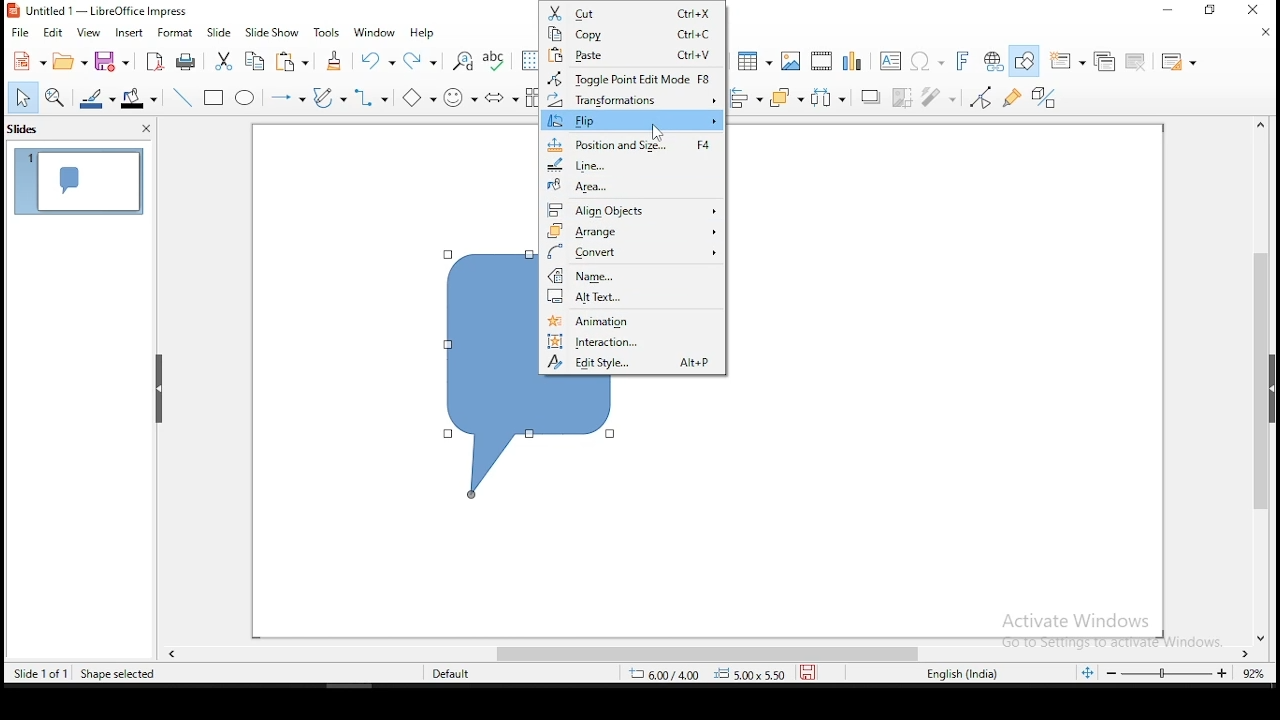  Describe the element at coordinates (374, 34) in the screenshot. I see `window` at that location.